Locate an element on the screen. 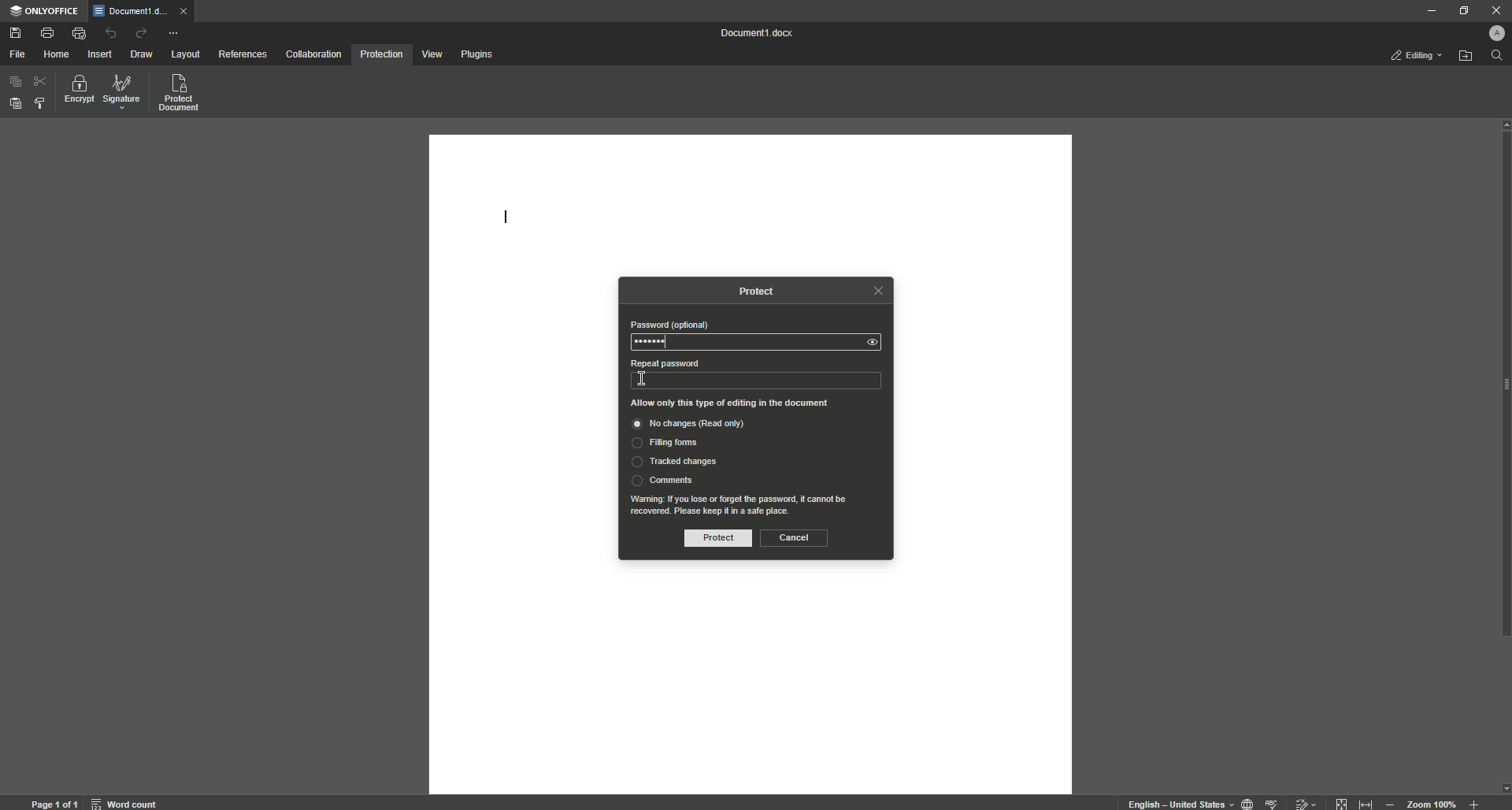  Editing is located at coordinates (1415, 57).